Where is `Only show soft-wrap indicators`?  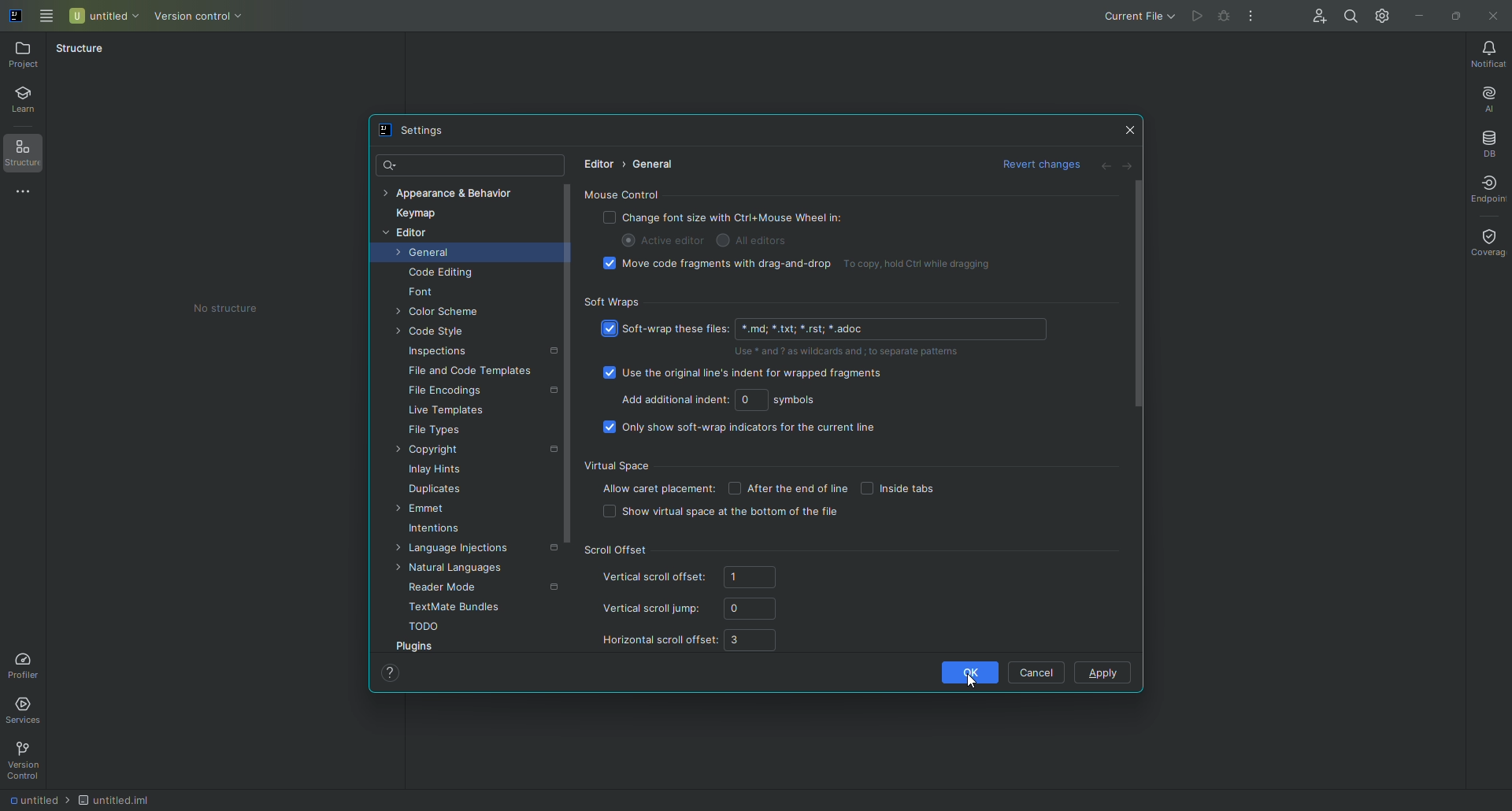
Only show soft-wrap indicators is located at coordinates (742, 430).